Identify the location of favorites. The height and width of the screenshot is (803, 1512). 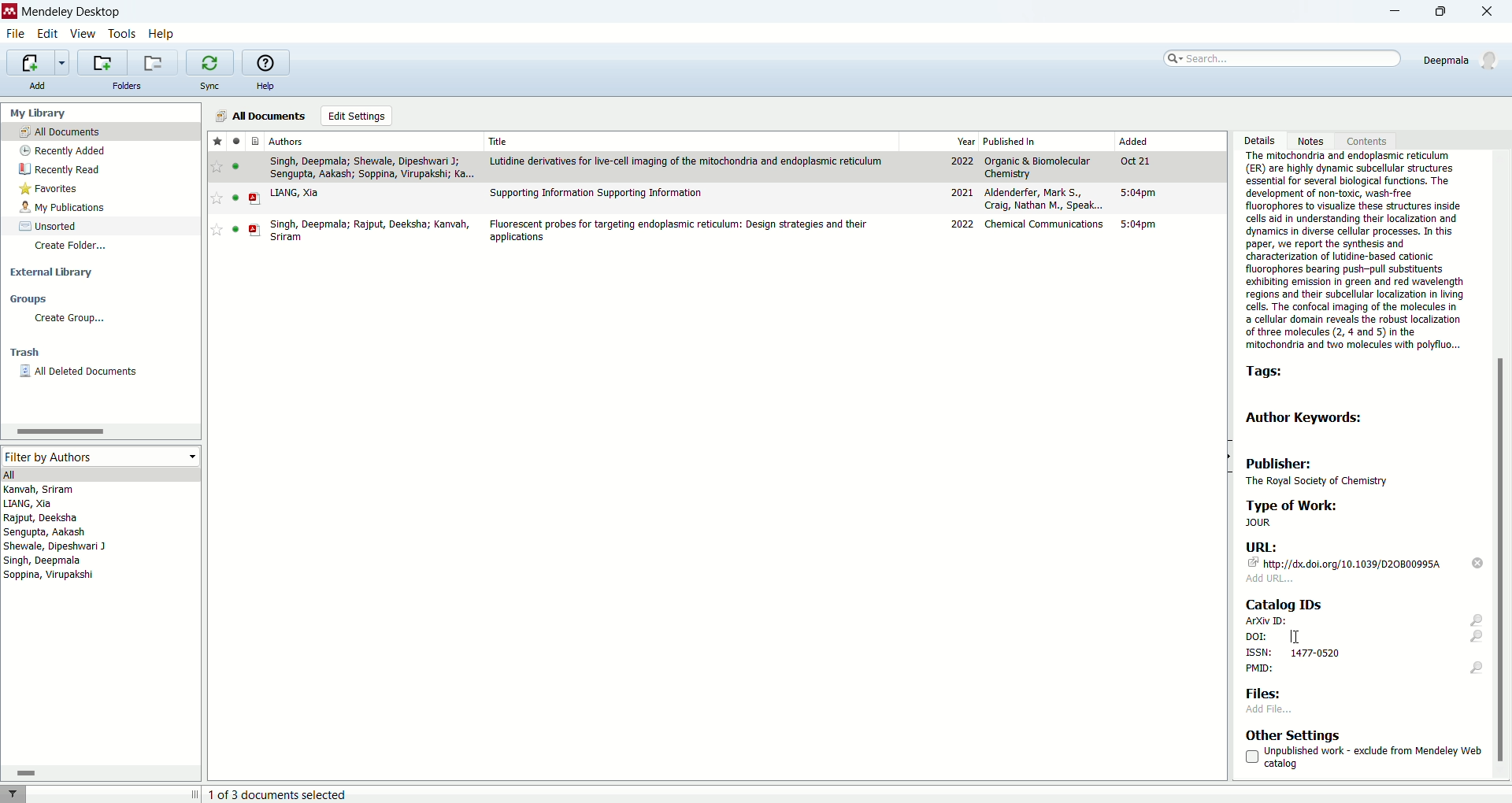
(217, 140).